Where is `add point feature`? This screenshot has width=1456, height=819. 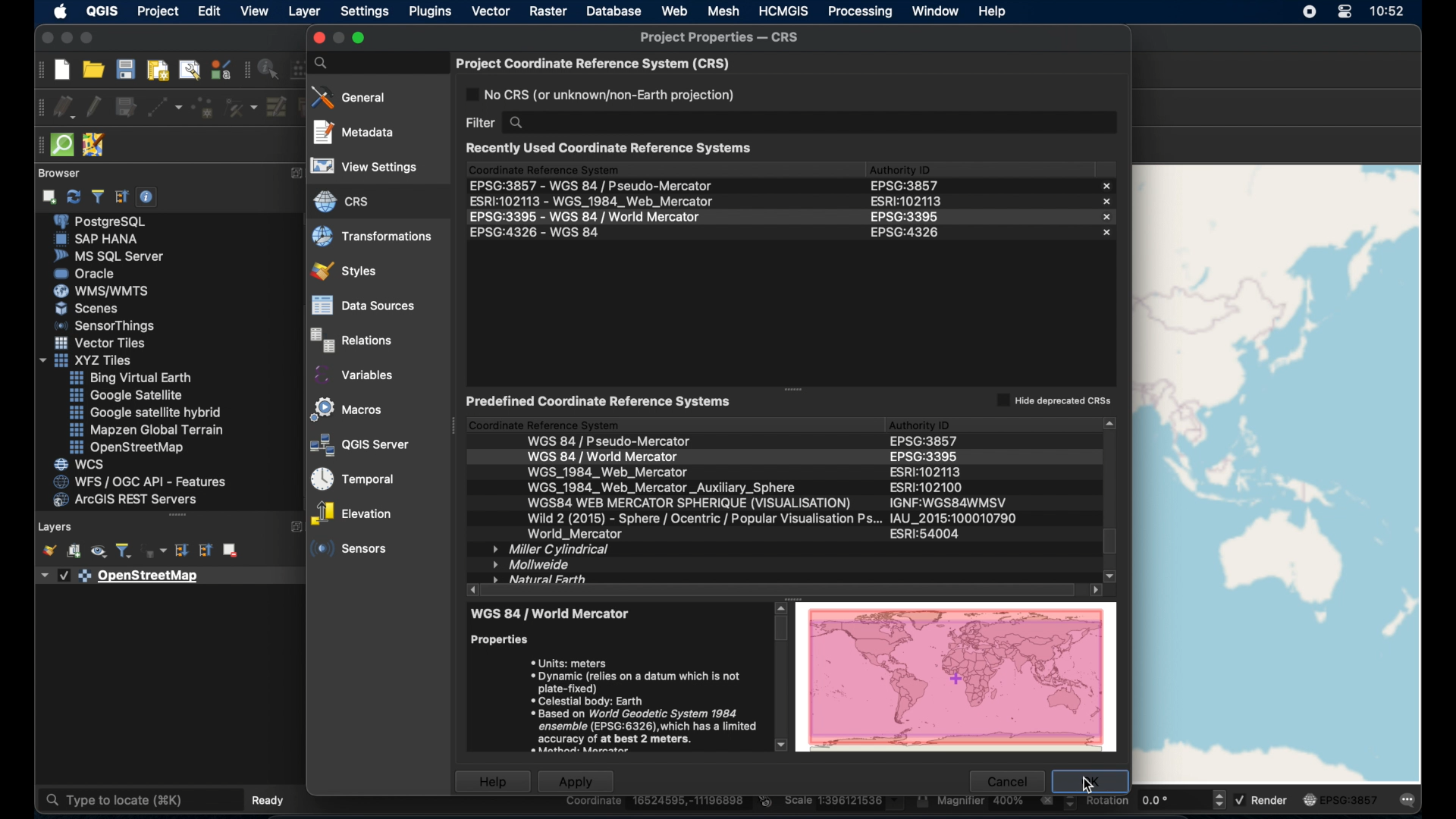 add point feature is located at coordinates (204, 108).